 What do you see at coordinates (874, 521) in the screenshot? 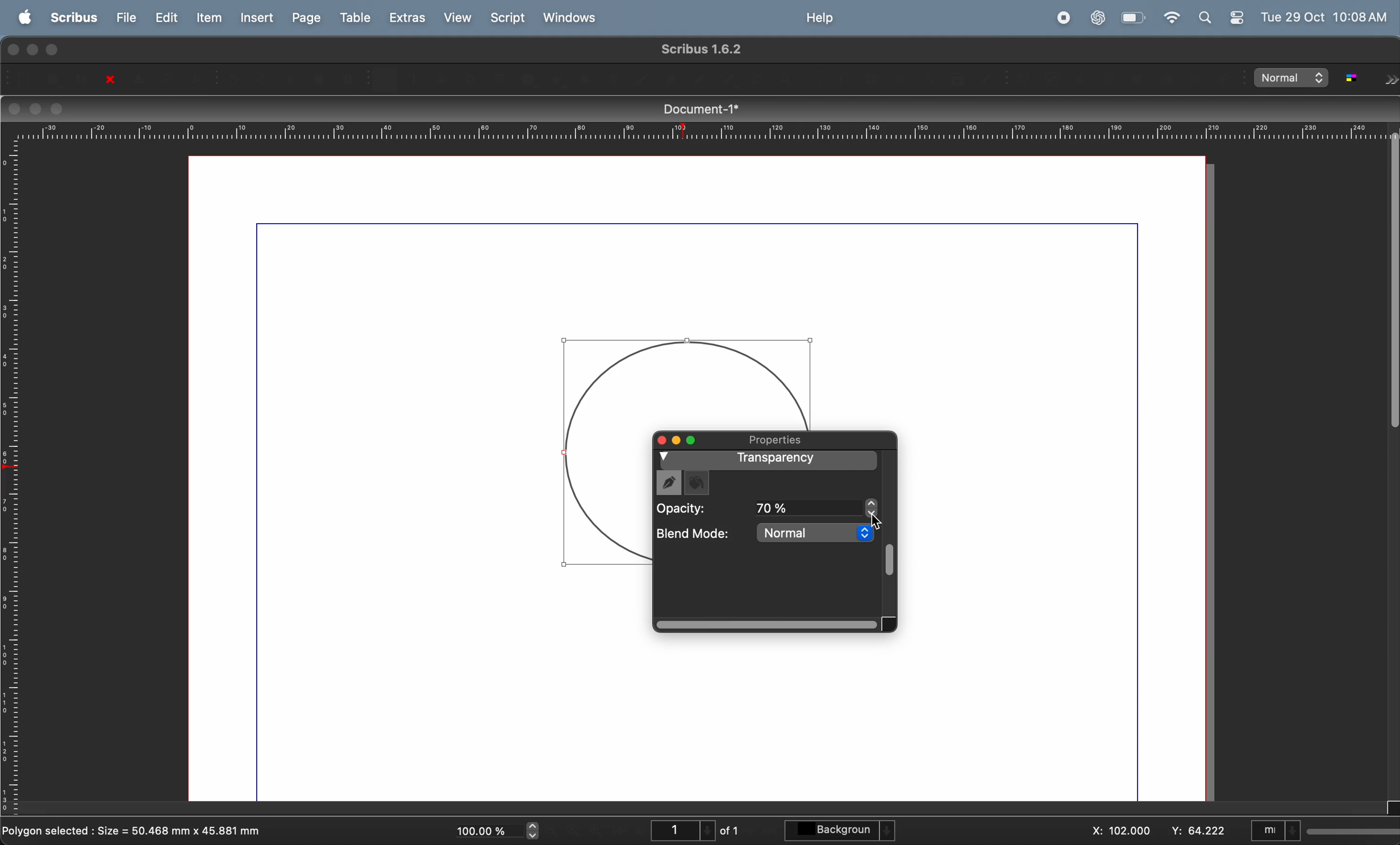
I see `Cursor` at bounding box center [874, 521].